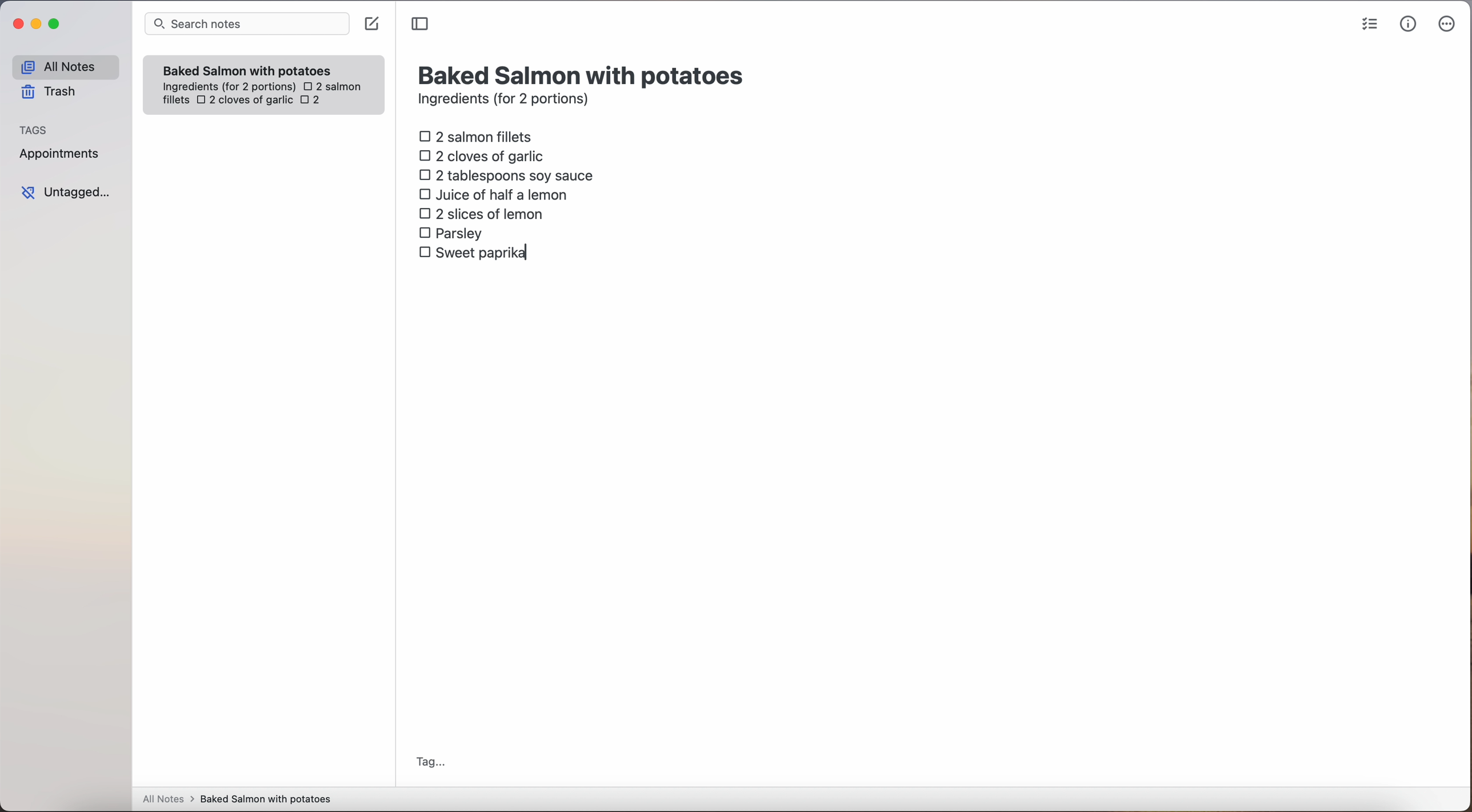 The width and height of the screenshot is (1472, 812). Describe the element at coordinates (34, 129) in the screenshot. I see `tags` at that location.